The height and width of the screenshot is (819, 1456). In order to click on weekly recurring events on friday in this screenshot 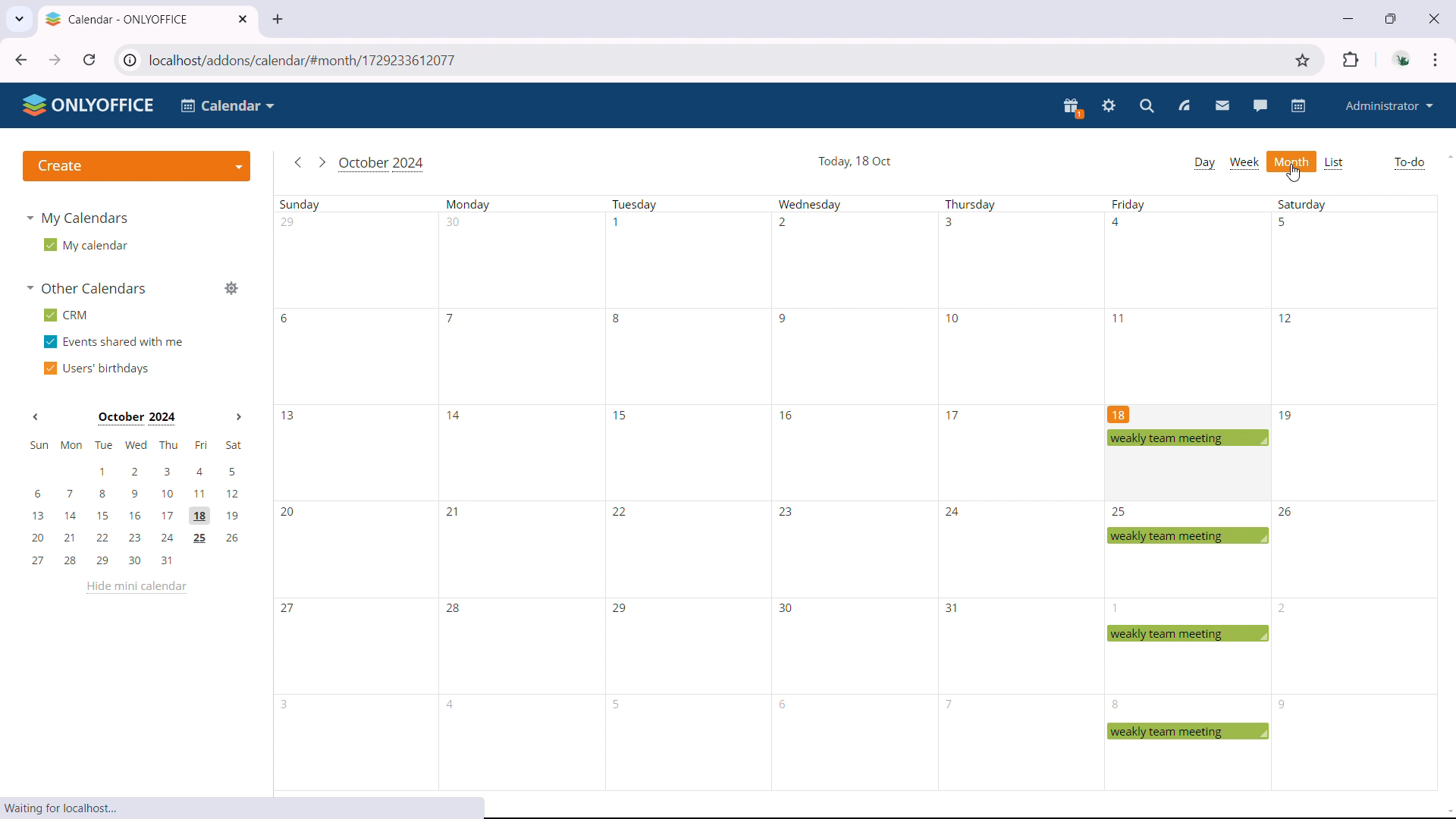, I will do `click(1190, 597)`.